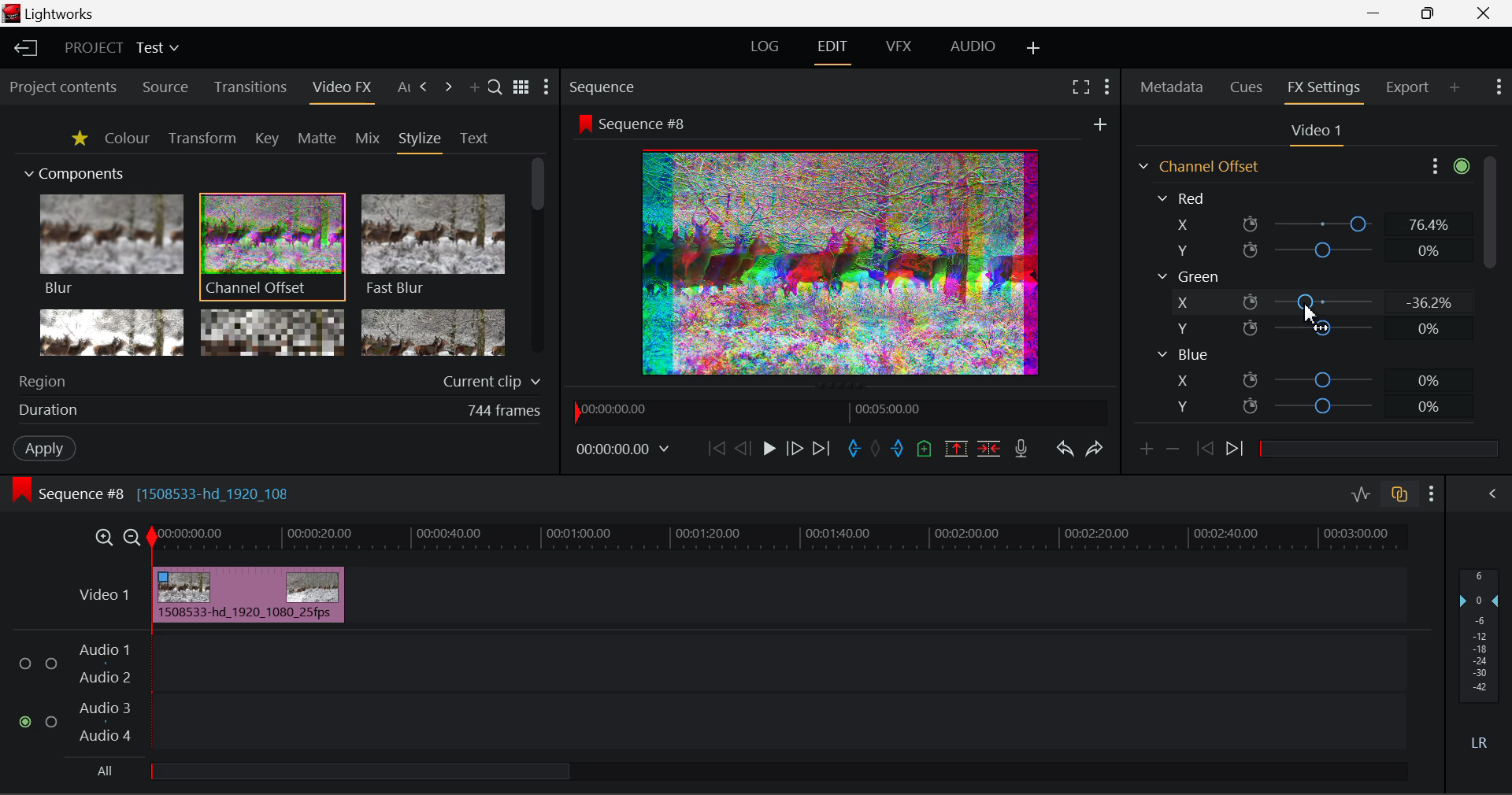 This screenshot has height=795, width=1512. I want to click on Back to Homepage, so click(24, 49).